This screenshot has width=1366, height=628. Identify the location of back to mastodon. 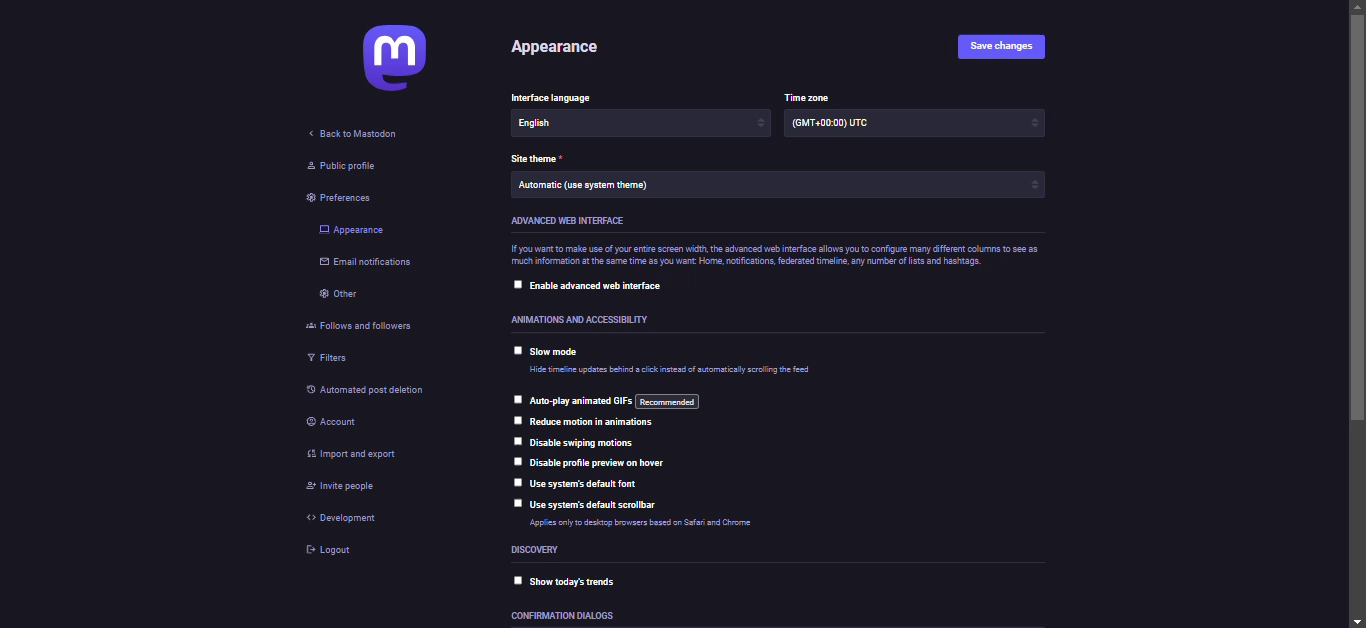
(355, 132).